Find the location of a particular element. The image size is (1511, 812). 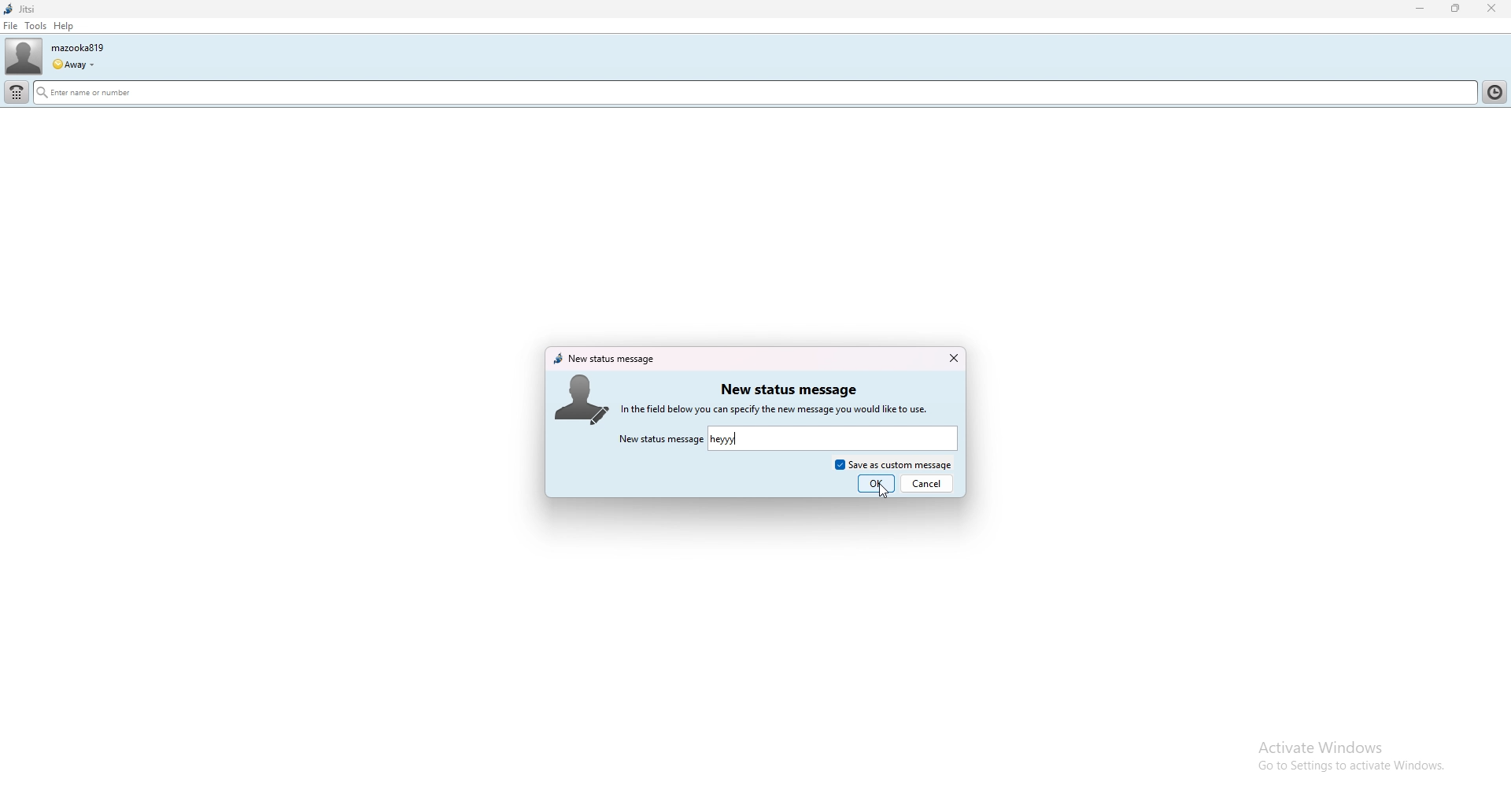

tools is located at coordinates (36, 25).